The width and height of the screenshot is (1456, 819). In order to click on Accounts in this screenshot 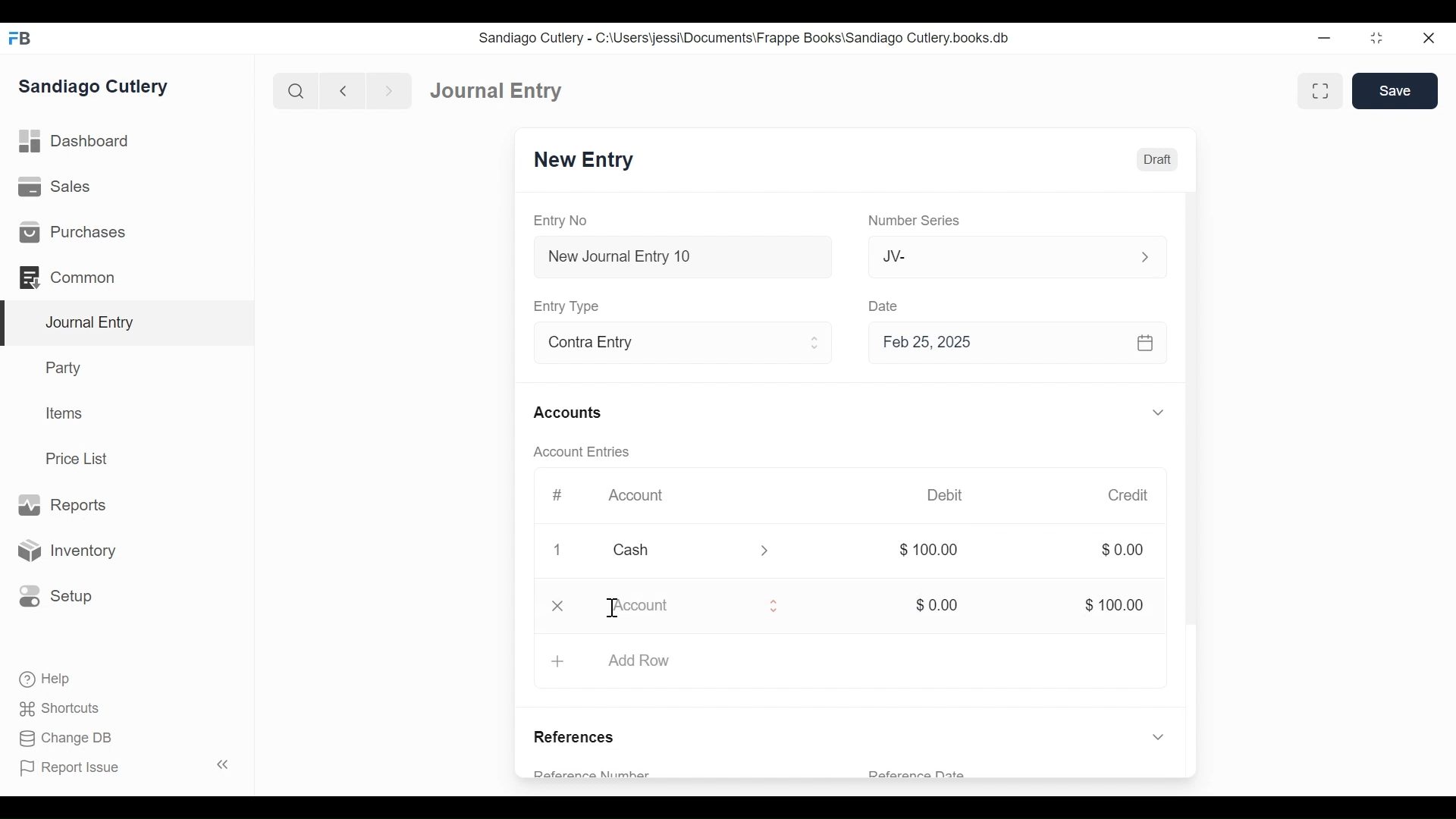, I will do `click(570, 413)`.